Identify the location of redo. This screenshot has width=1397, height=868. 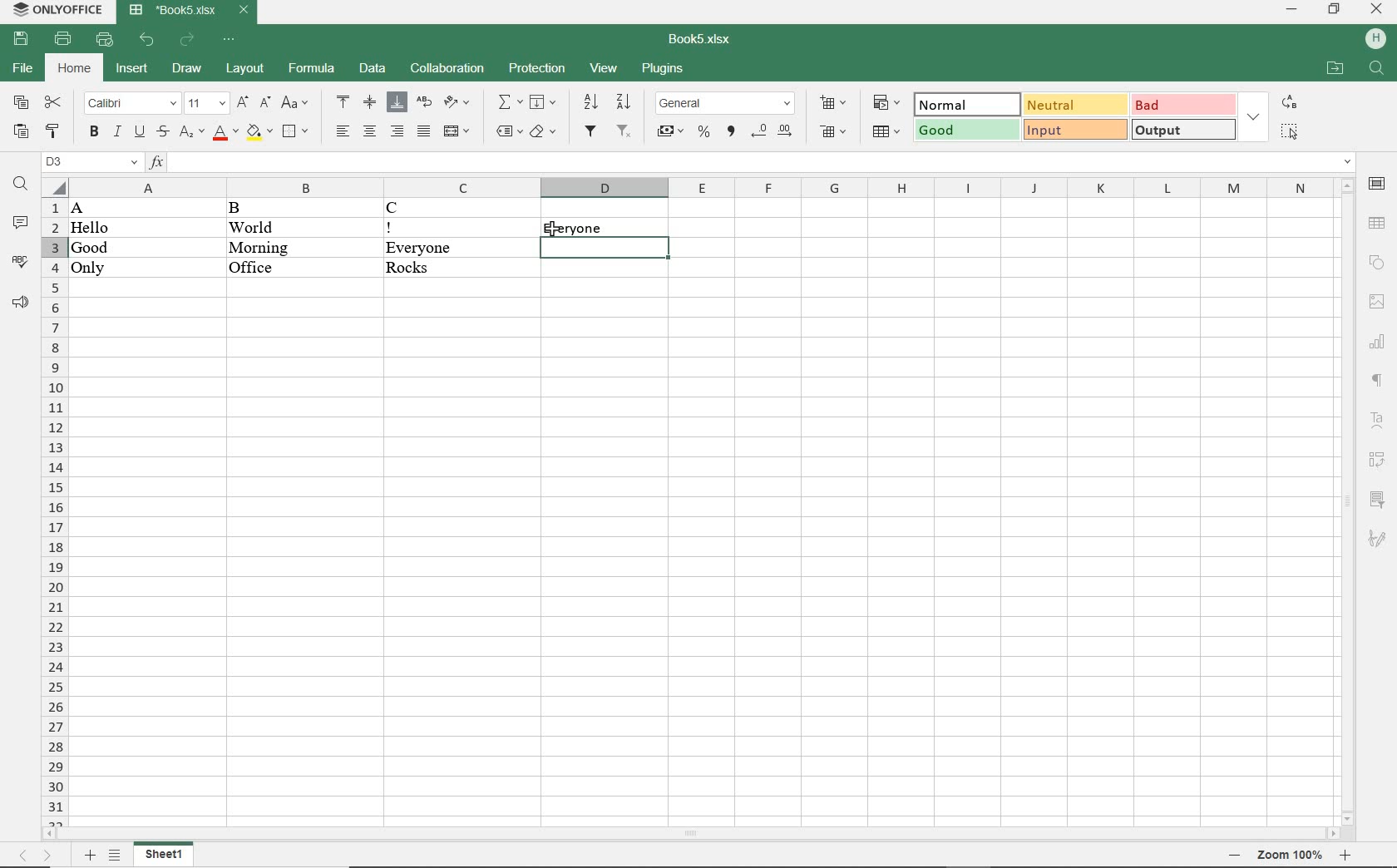
(186, 42).